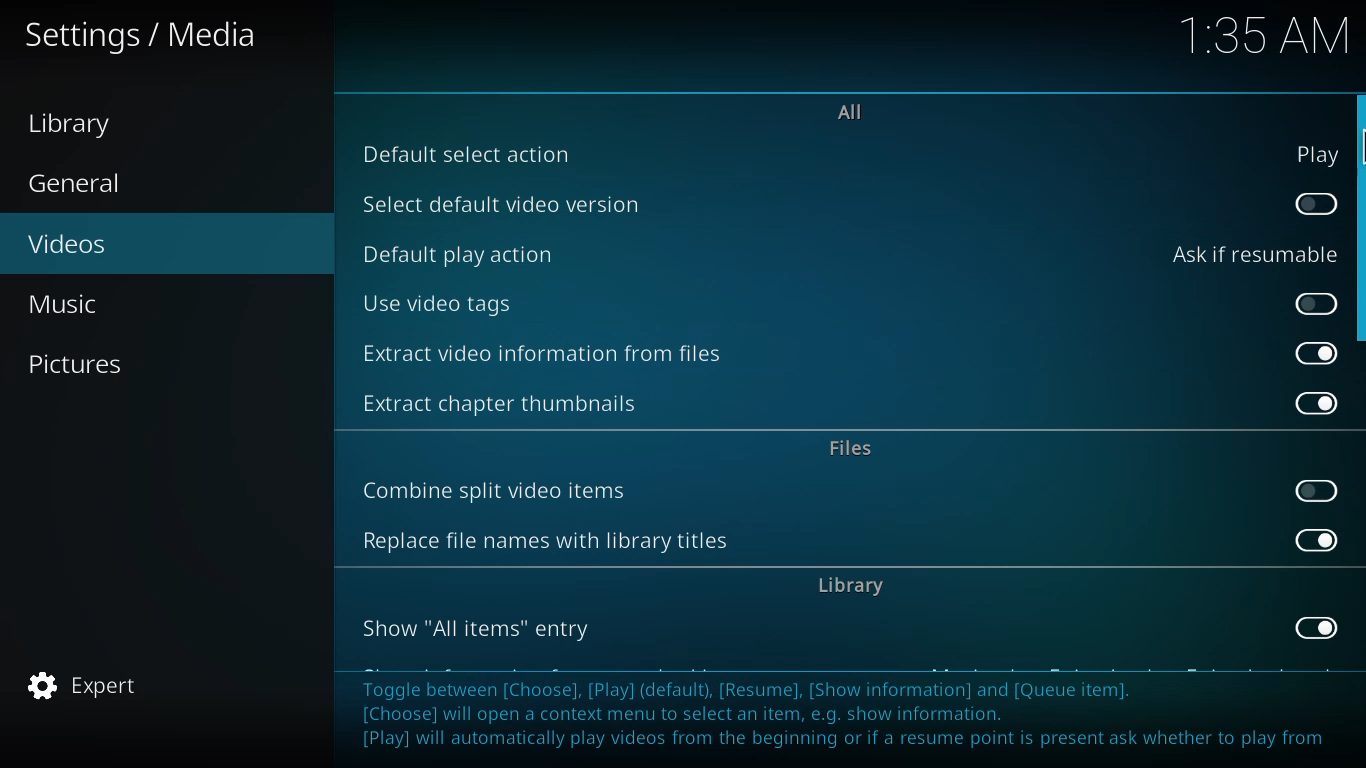  What do you see at coordinates (851, 584) in the screenshot?
I see `library` at bounding box center [851, 584].